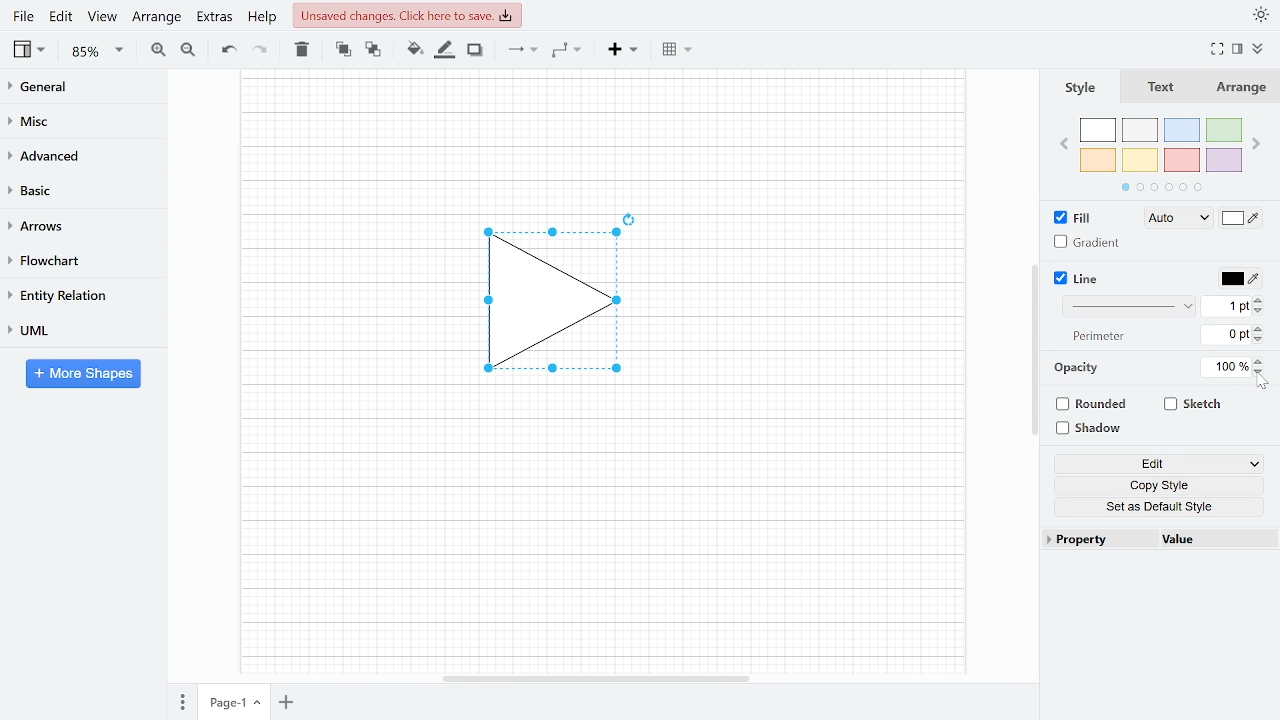 Image resolution: width=1280 pixels, height=720 pixels. Describe the element at coordinates (1260, 360) in the screenshot. I see `Increase Opacity` at that location.